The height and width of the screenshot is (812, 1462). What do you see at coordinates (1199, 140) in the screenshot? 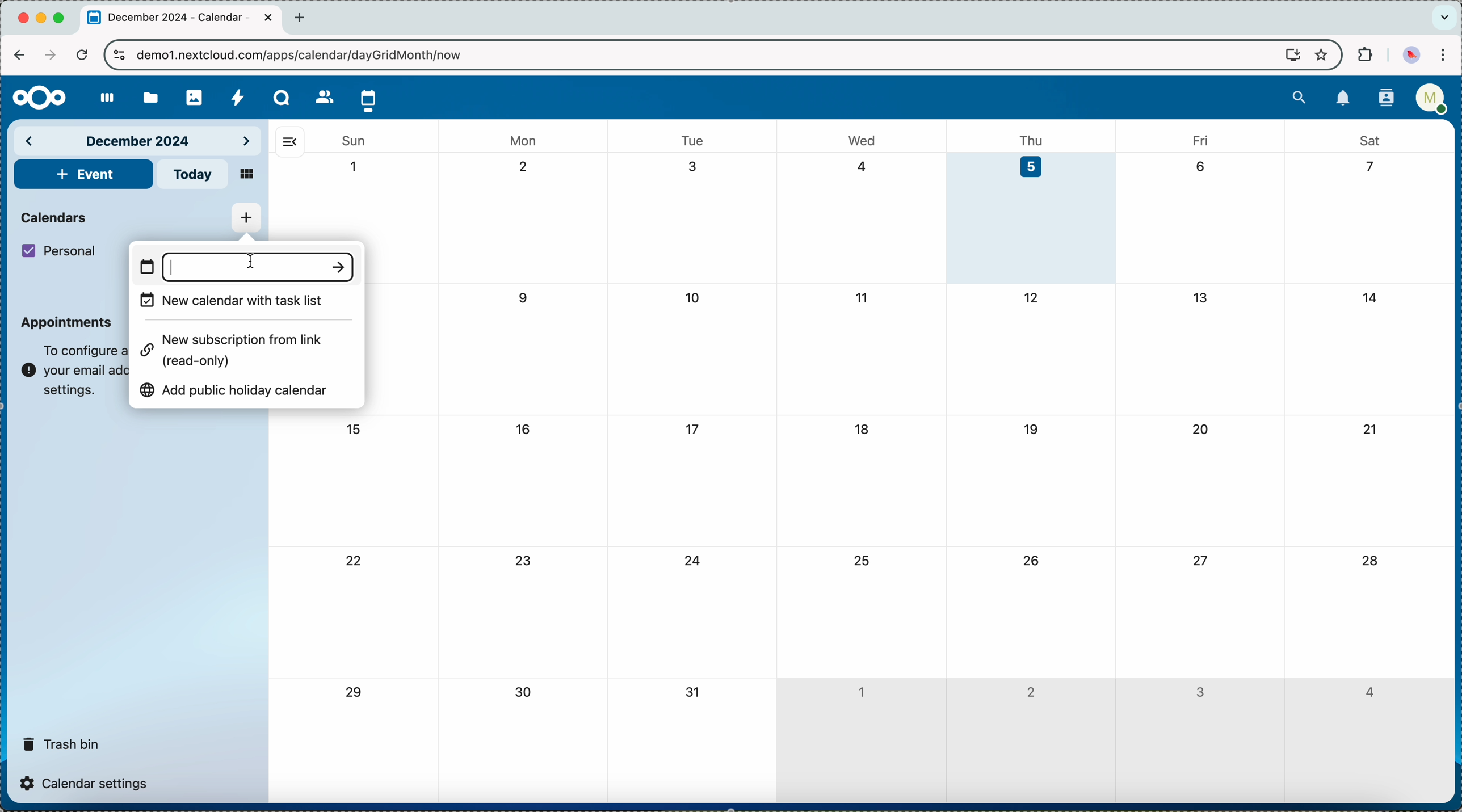
I see `fri` at bounding box center [1199, 140].